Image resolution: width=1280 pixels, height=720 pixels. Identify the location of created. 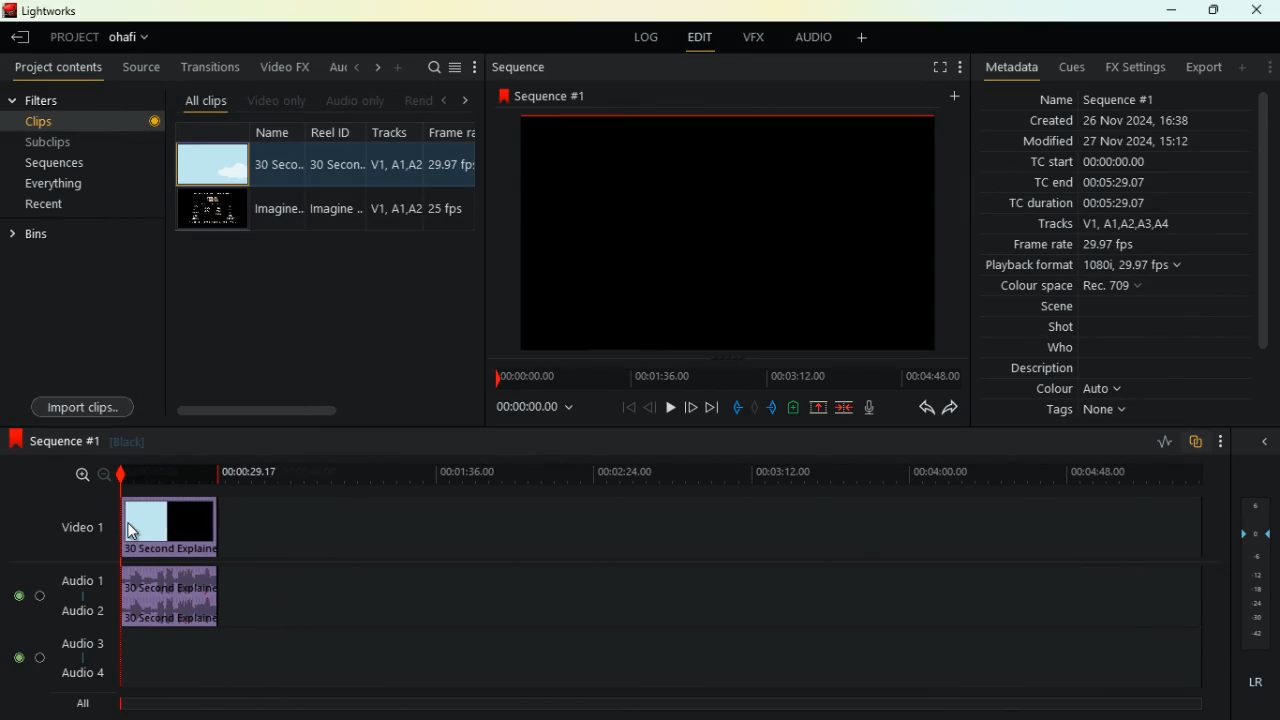
(1104, 121).